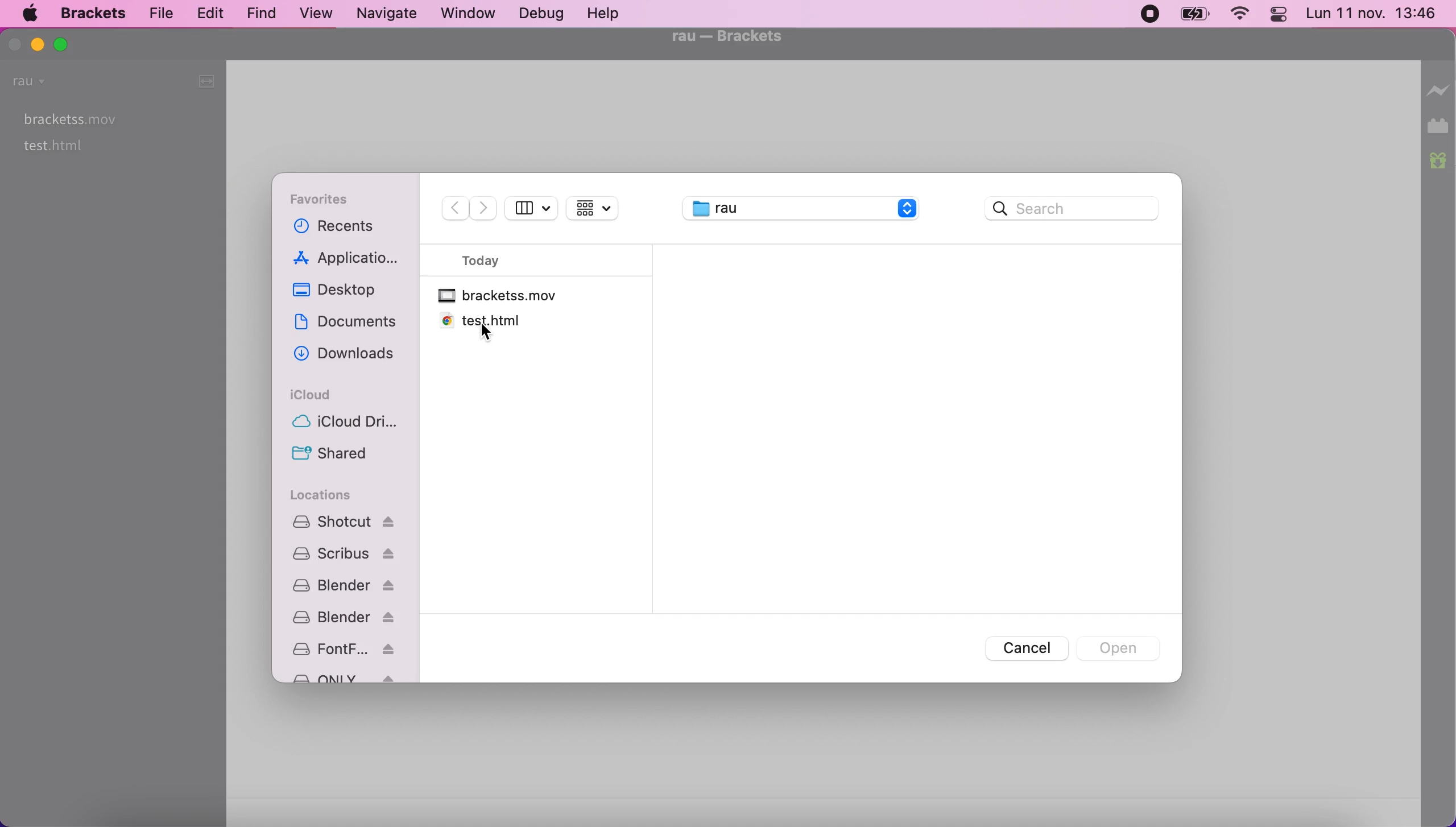  I want to click on file, so click(65, 118).